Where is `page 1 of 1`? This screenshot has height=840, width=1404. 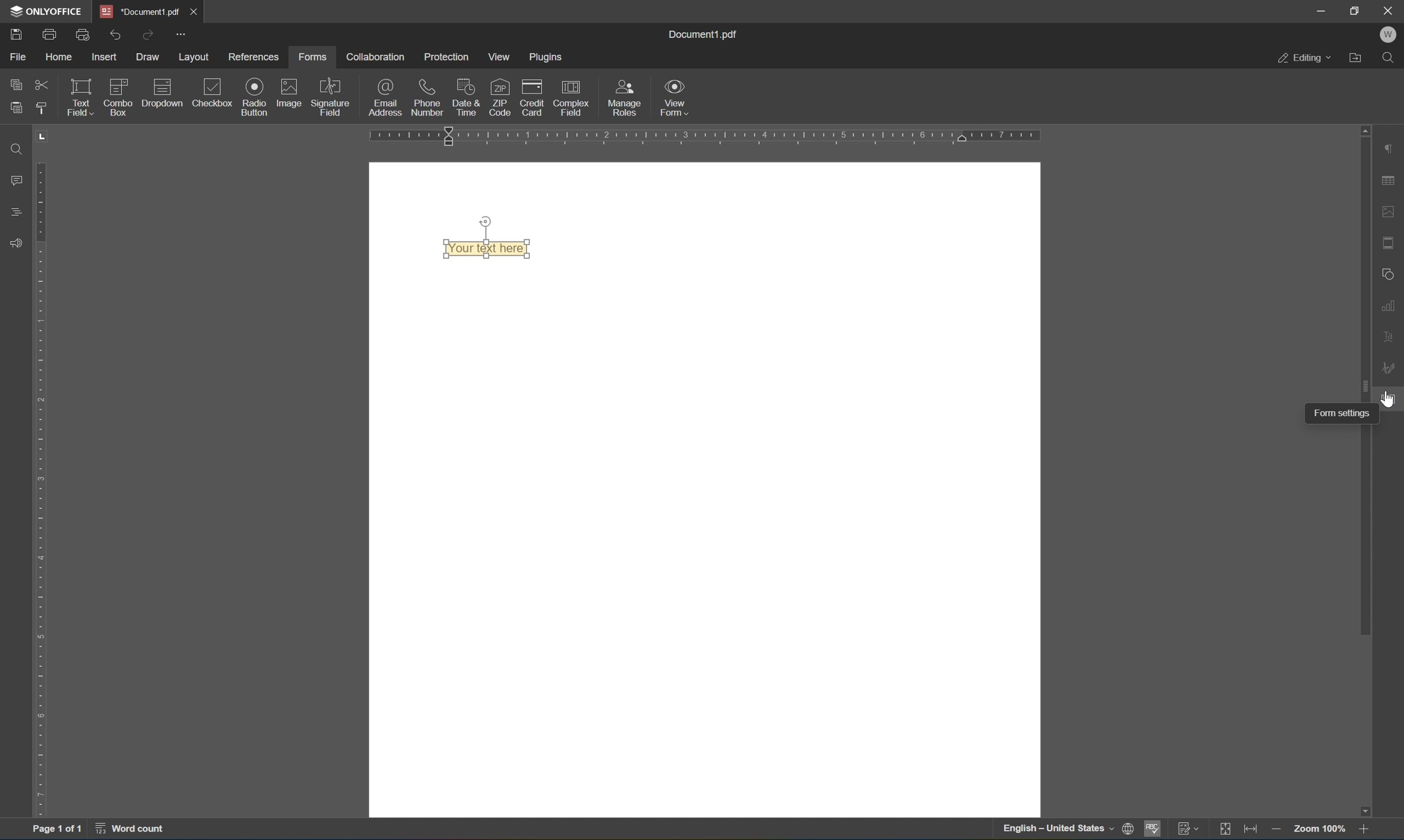 page 1 of 1 is located at coordinates (55, 830).